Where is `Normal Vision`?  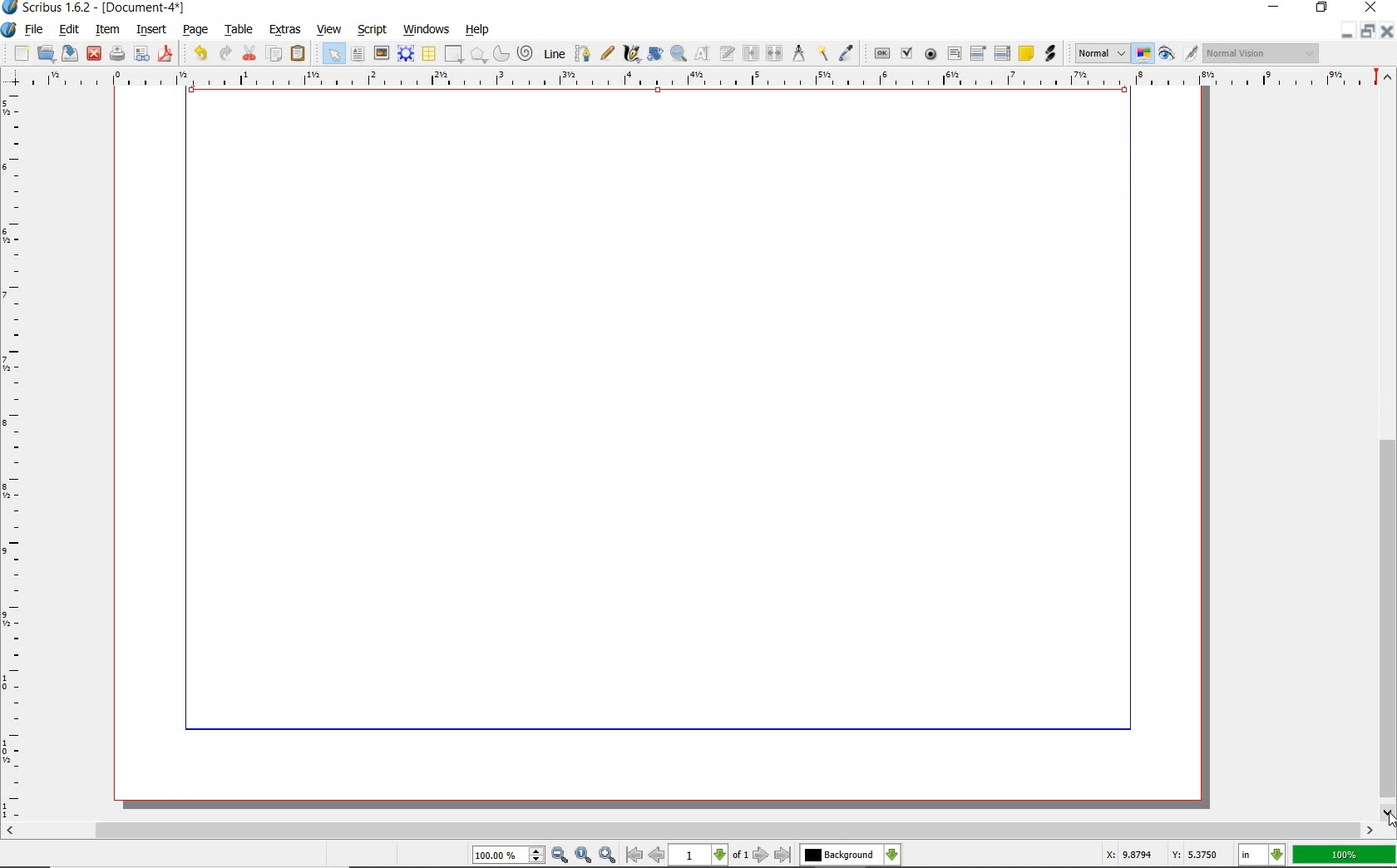
Normal Vision is located at coordinates (1261, 52).